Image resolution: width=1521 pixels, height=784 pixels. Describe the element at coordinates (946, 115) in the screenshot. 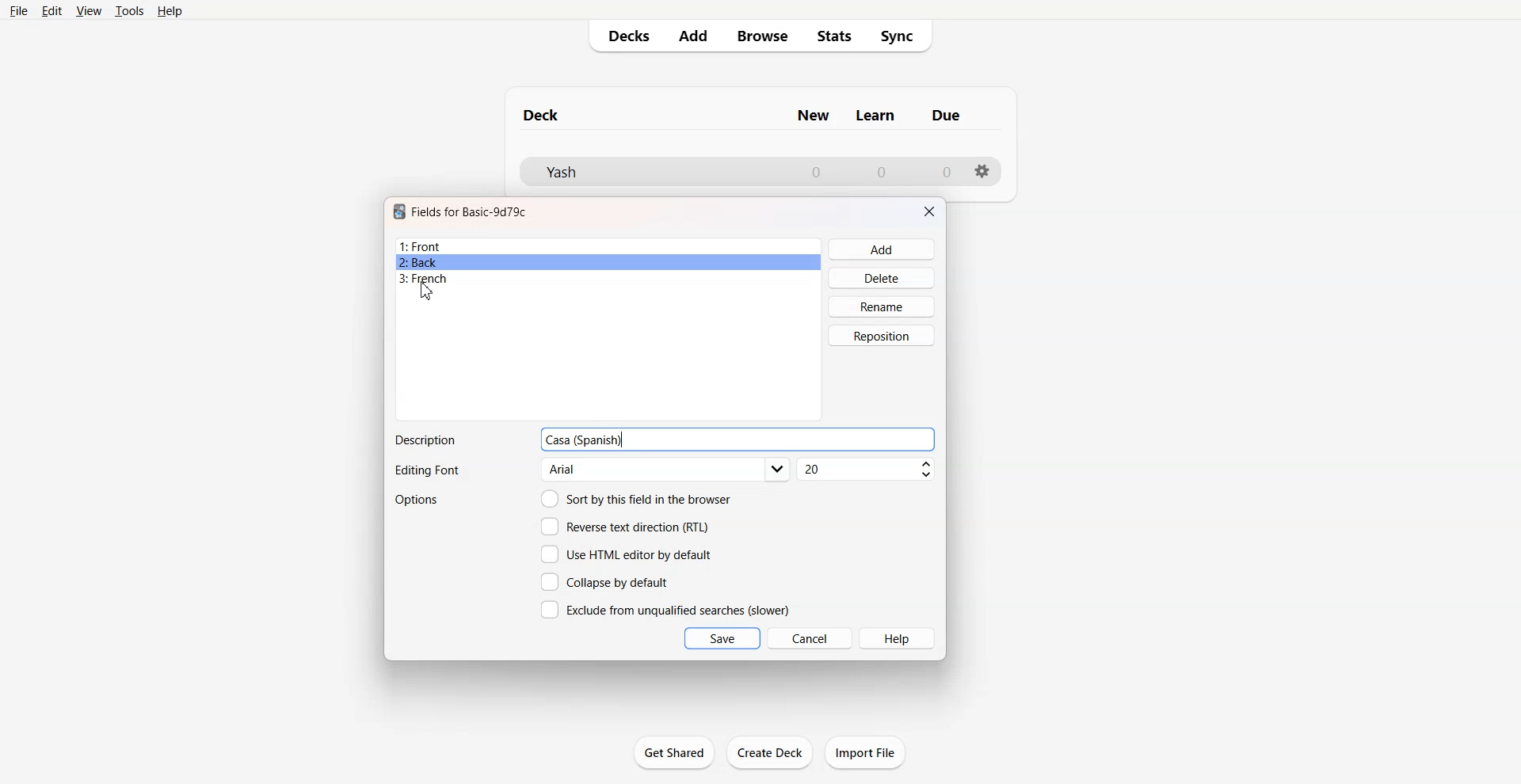

I see `Column name` at that location.